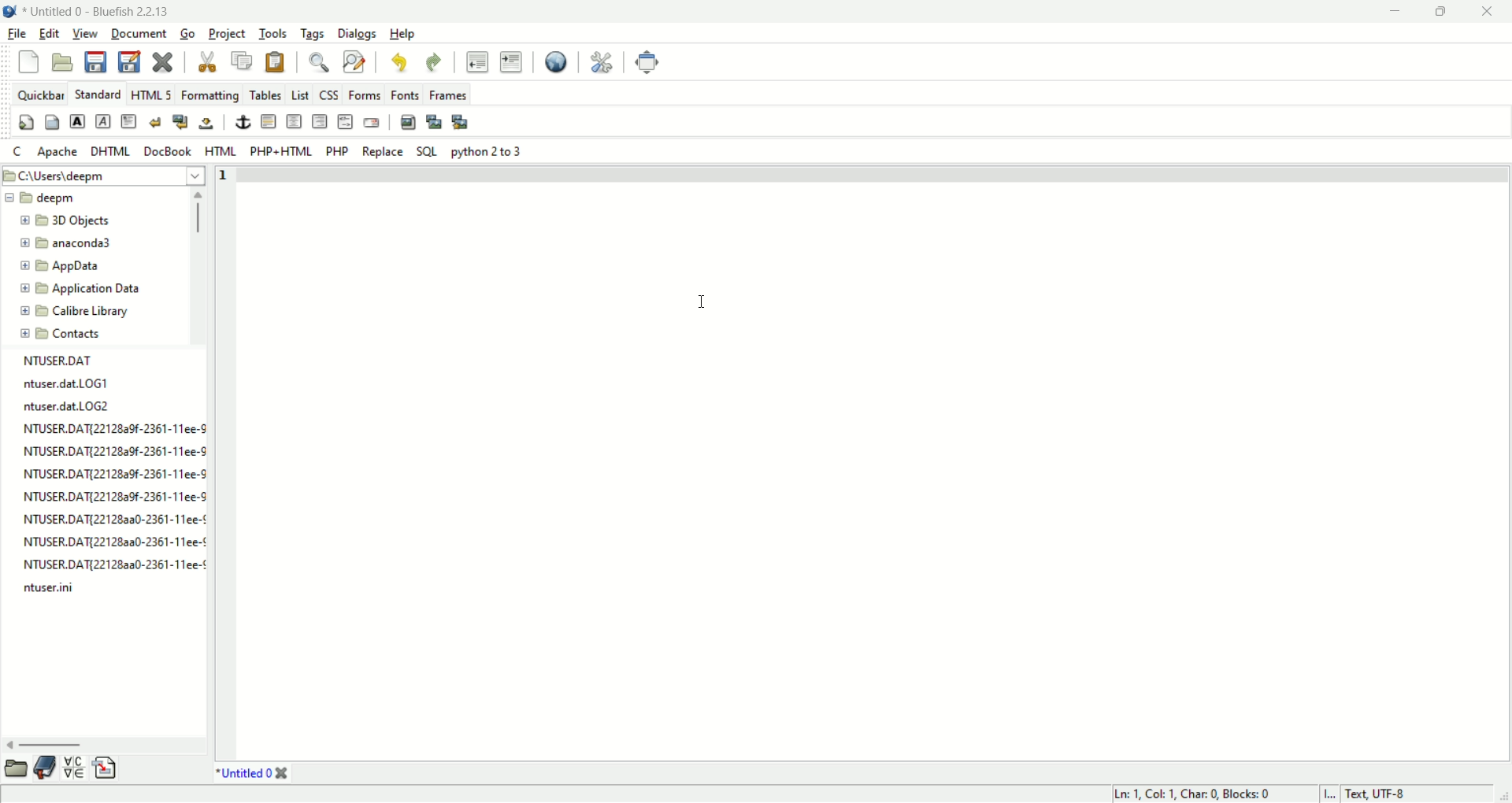 The height and width of the screenshot is (803, 1512). Describe the element at coordinates (427, 152) in the screenshot. I see `SQL` at that location.